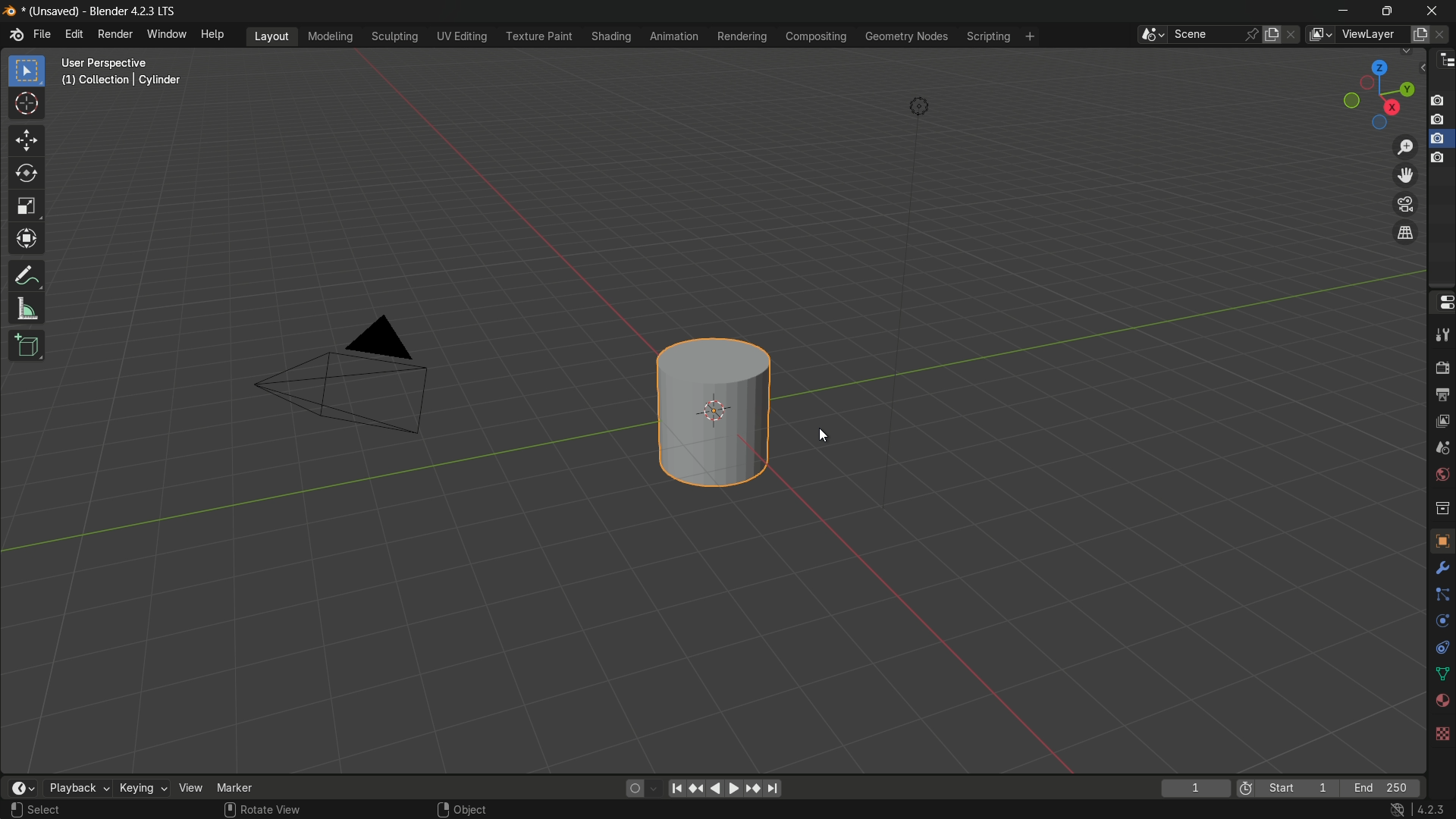  What do you see at coordinates (1442, 448) in the screenshot?
I see `scenes` at bounding box center [1442, 448].